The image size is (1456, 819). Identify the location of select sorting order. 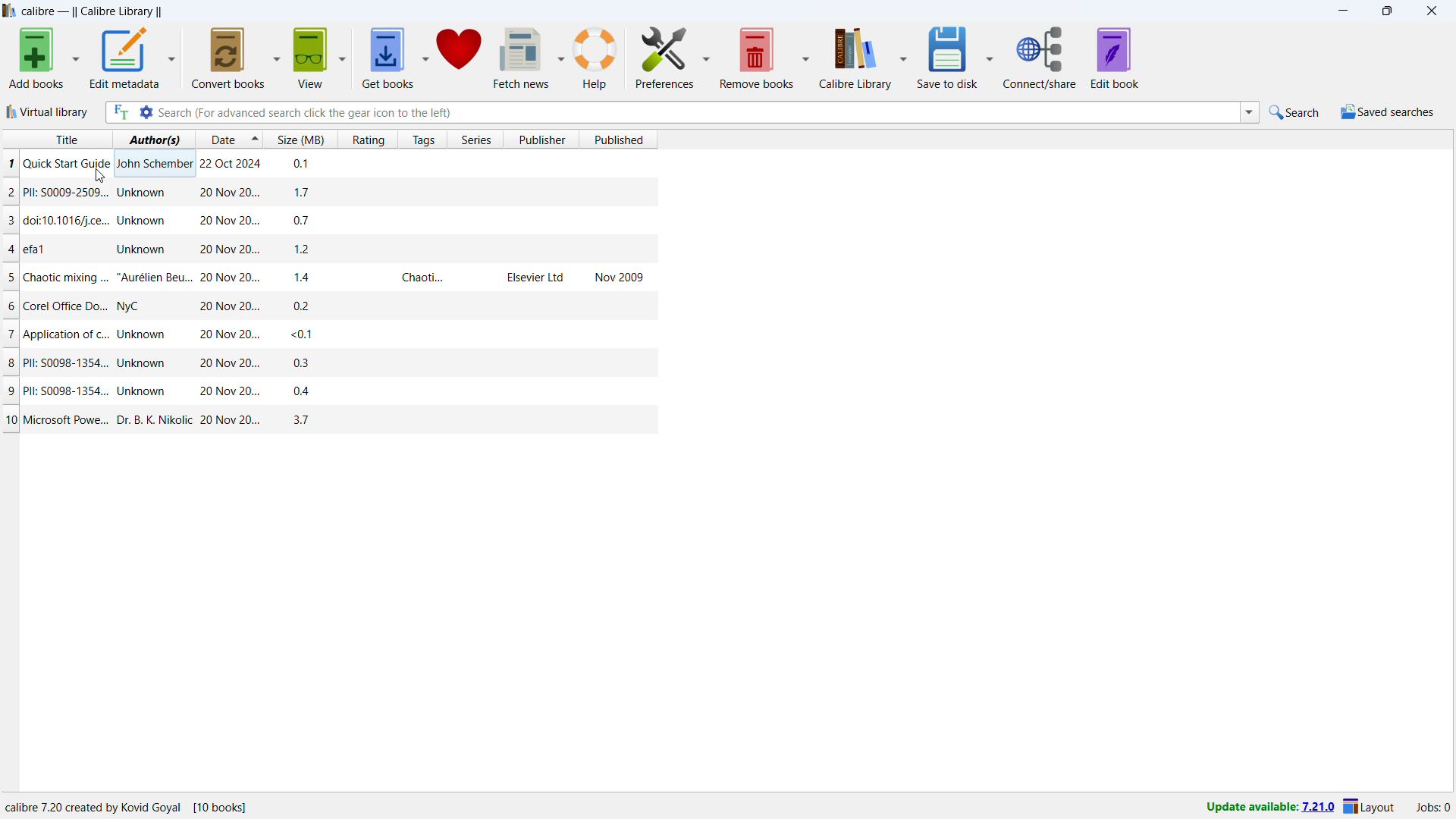
(254, 139).